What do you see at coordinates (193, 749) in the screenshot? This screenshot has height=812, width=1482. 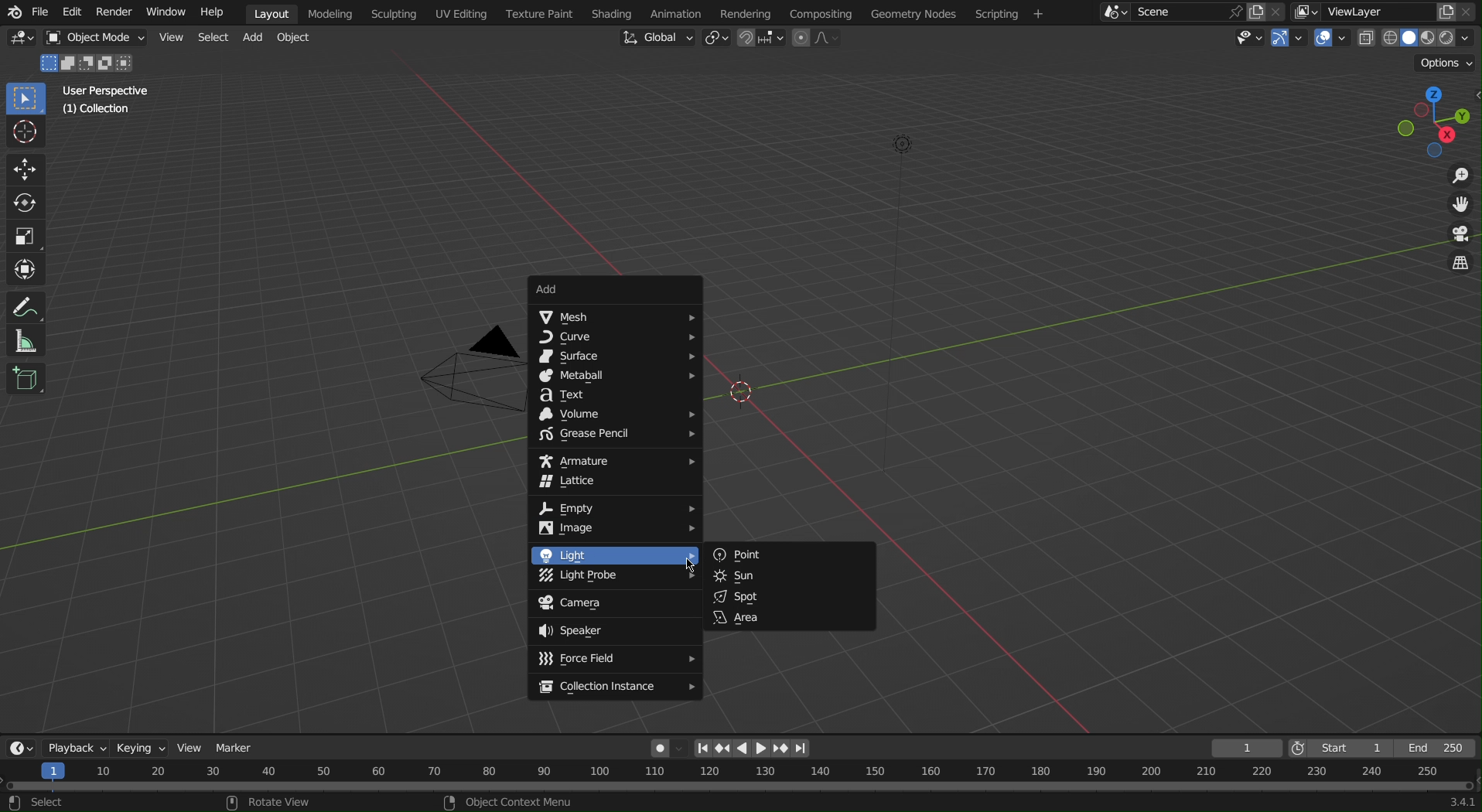 I see `View` at bounding box center [193, 749].